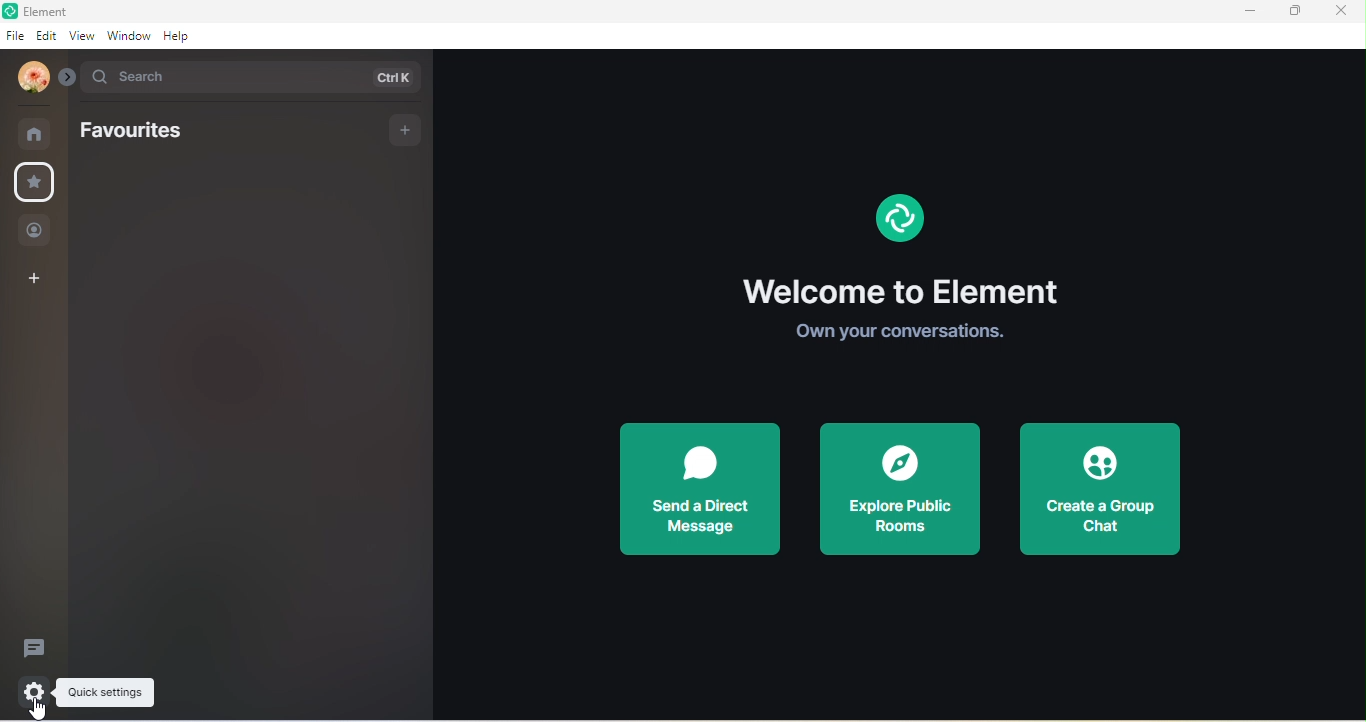  What do you see at coordinates (1293, 13) in the screenshot?
I see `maximize` at bounding box center [1293, 13].